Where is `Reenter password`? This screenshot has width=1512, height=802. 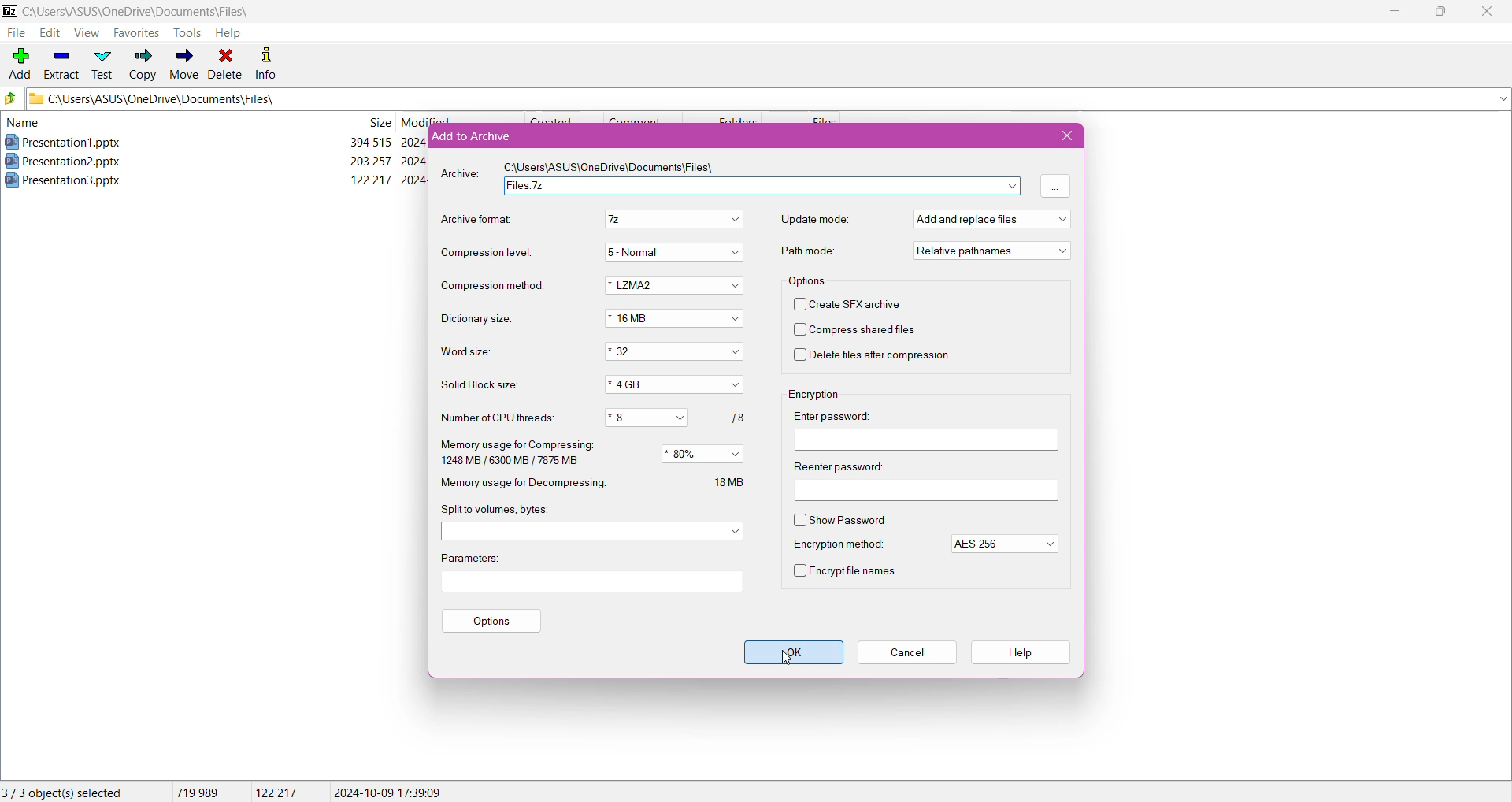 Reenter password is located at coordinates (838, 466).